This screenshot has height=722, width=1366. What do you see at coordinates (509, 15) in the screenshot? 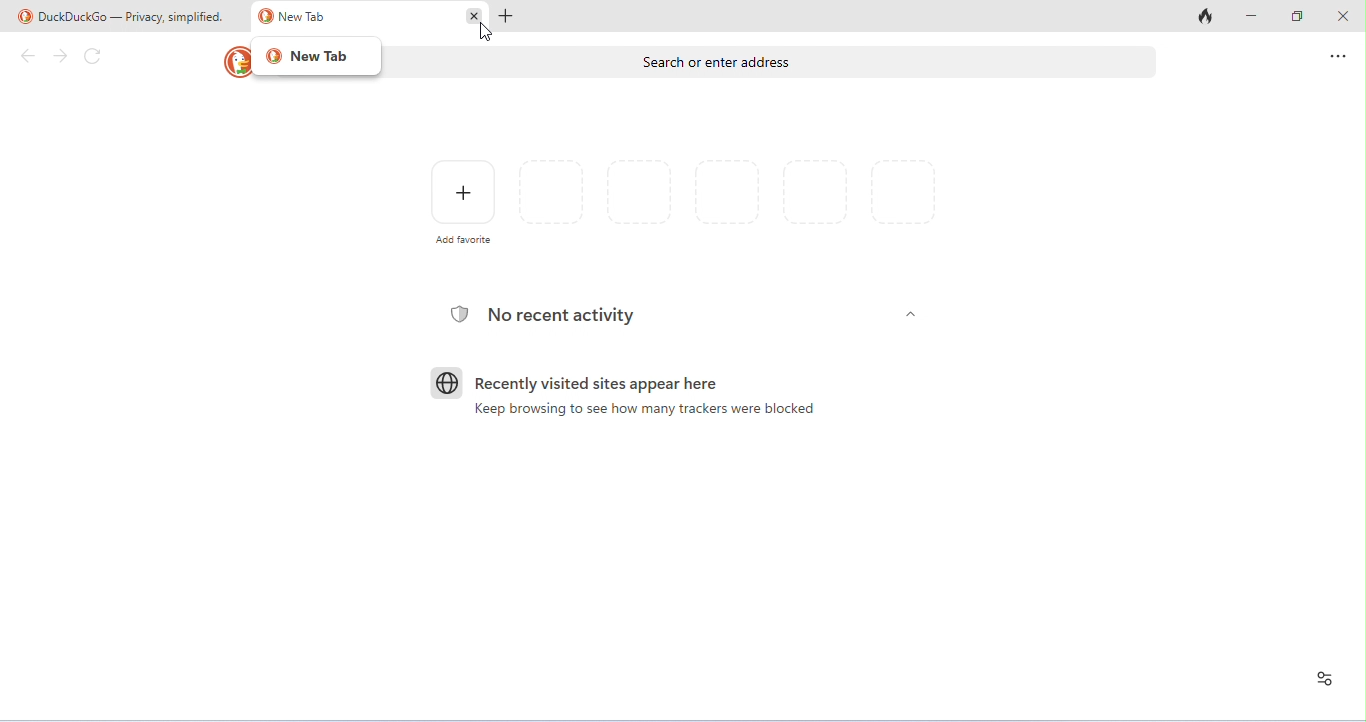
I see `add new tab` at bounding box center [509, 15].